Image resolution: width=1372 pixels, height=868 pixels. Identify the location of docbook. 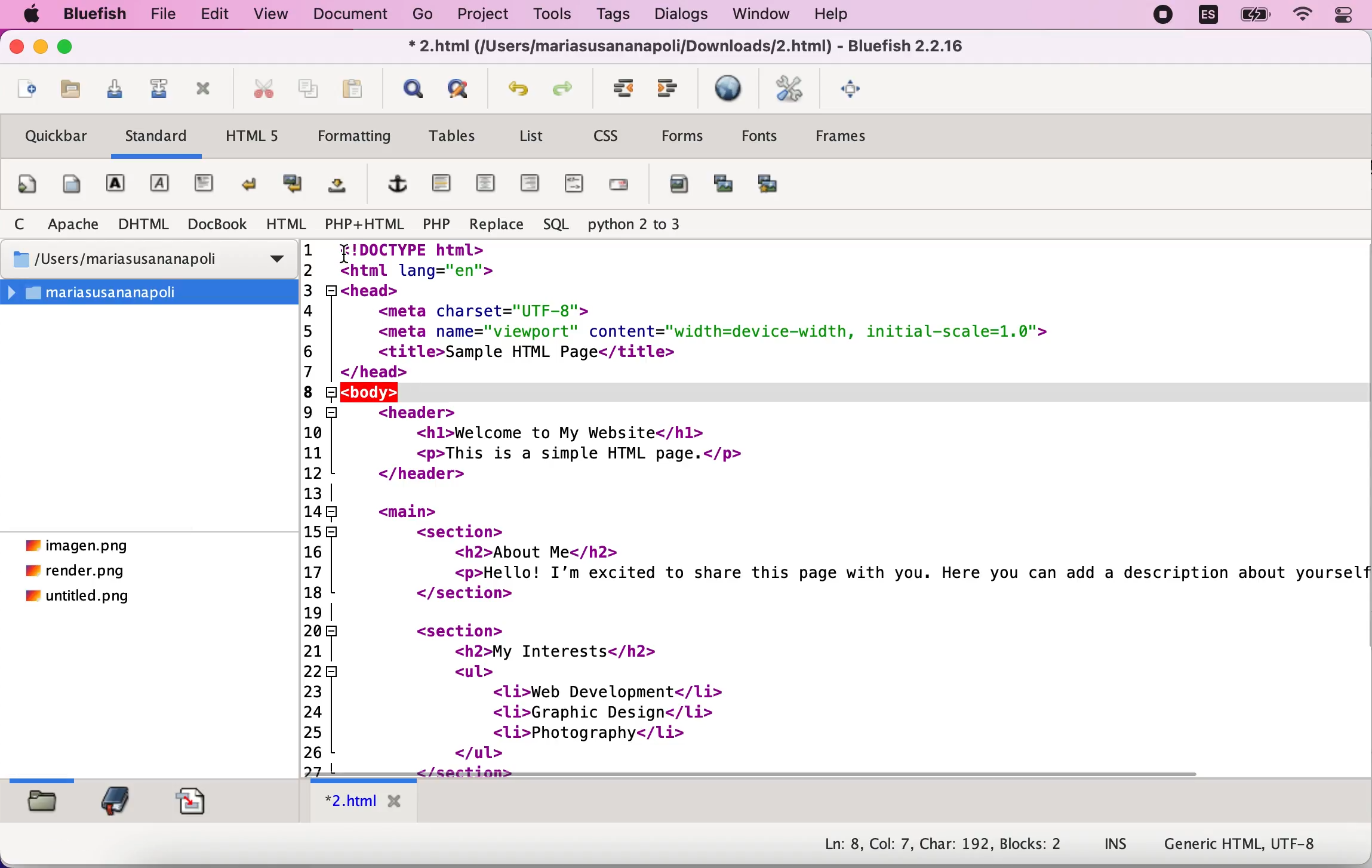
(214, 226).